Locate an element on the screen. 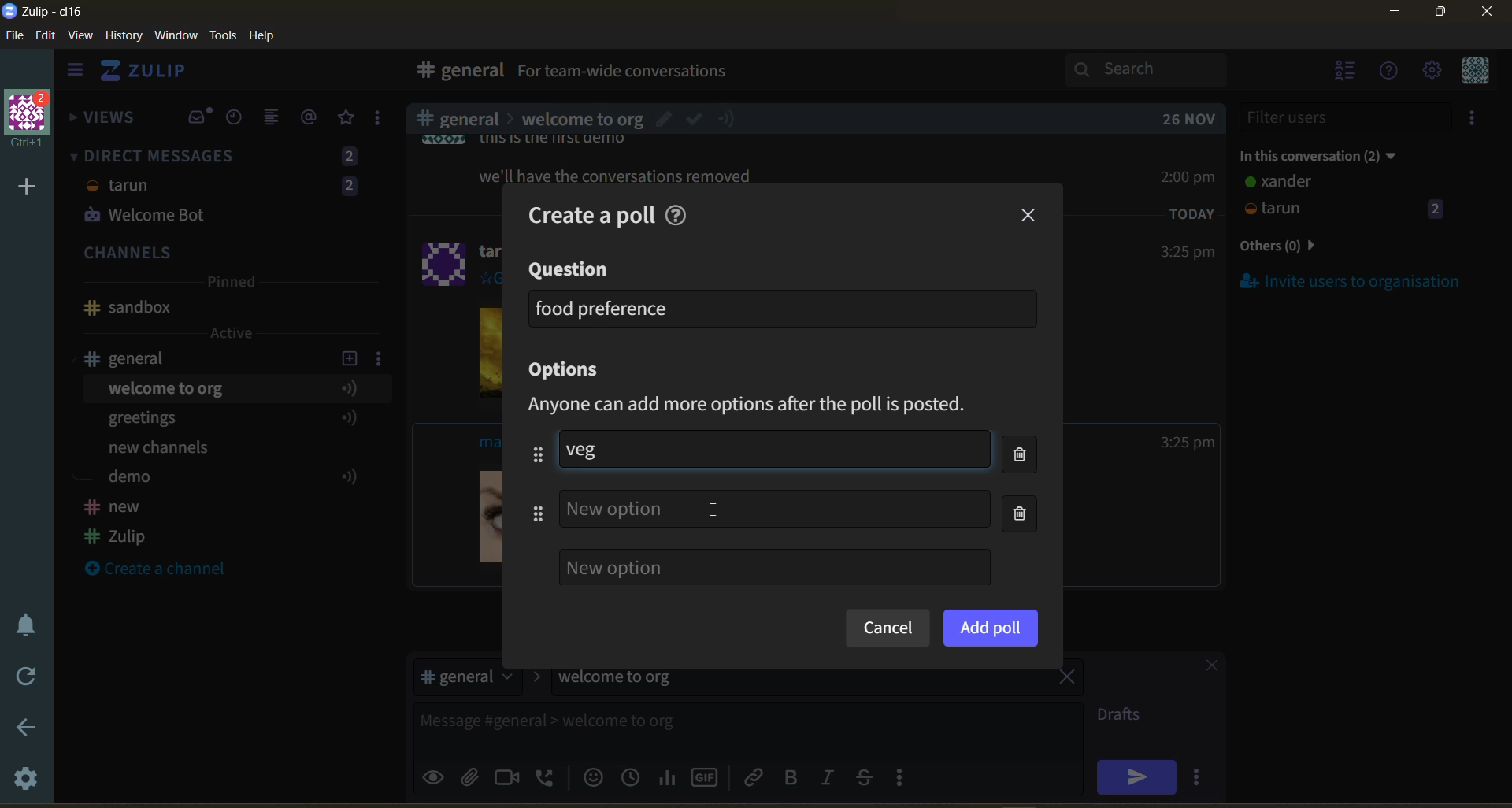 Image resolution: width=1512 pixels, height=808 pixels.  is located at coordinates (618, 179).